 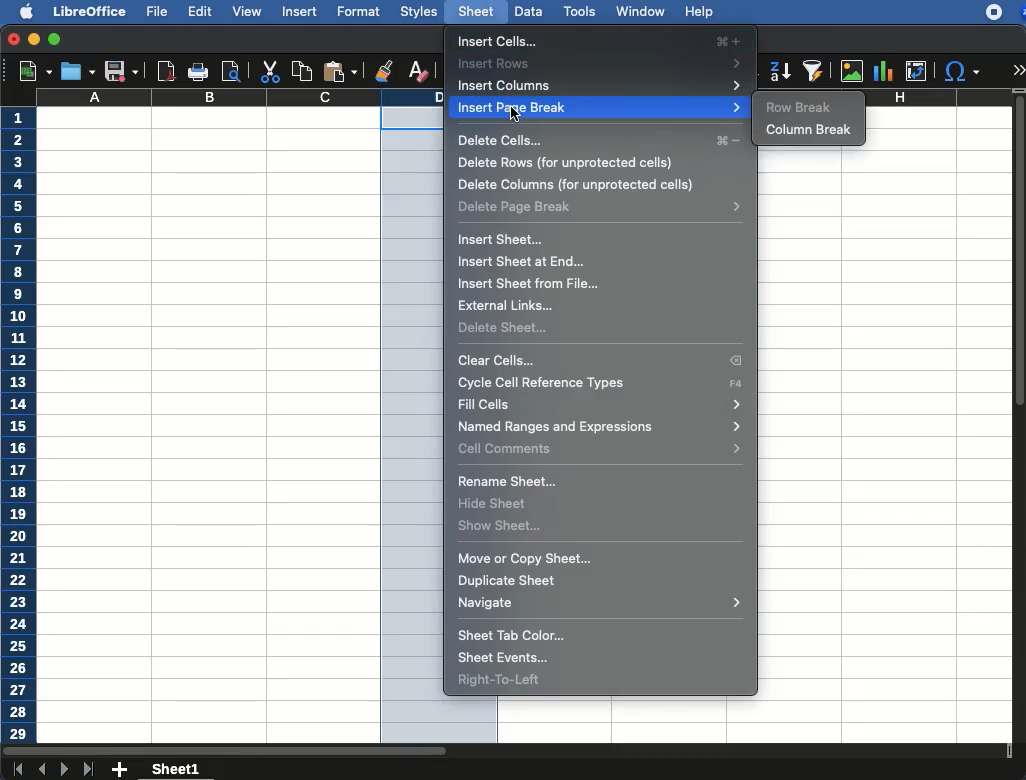 What do you see at coordinates (299, 71) in the screenshot?
I see `copy` at bounding box center [299, 71].